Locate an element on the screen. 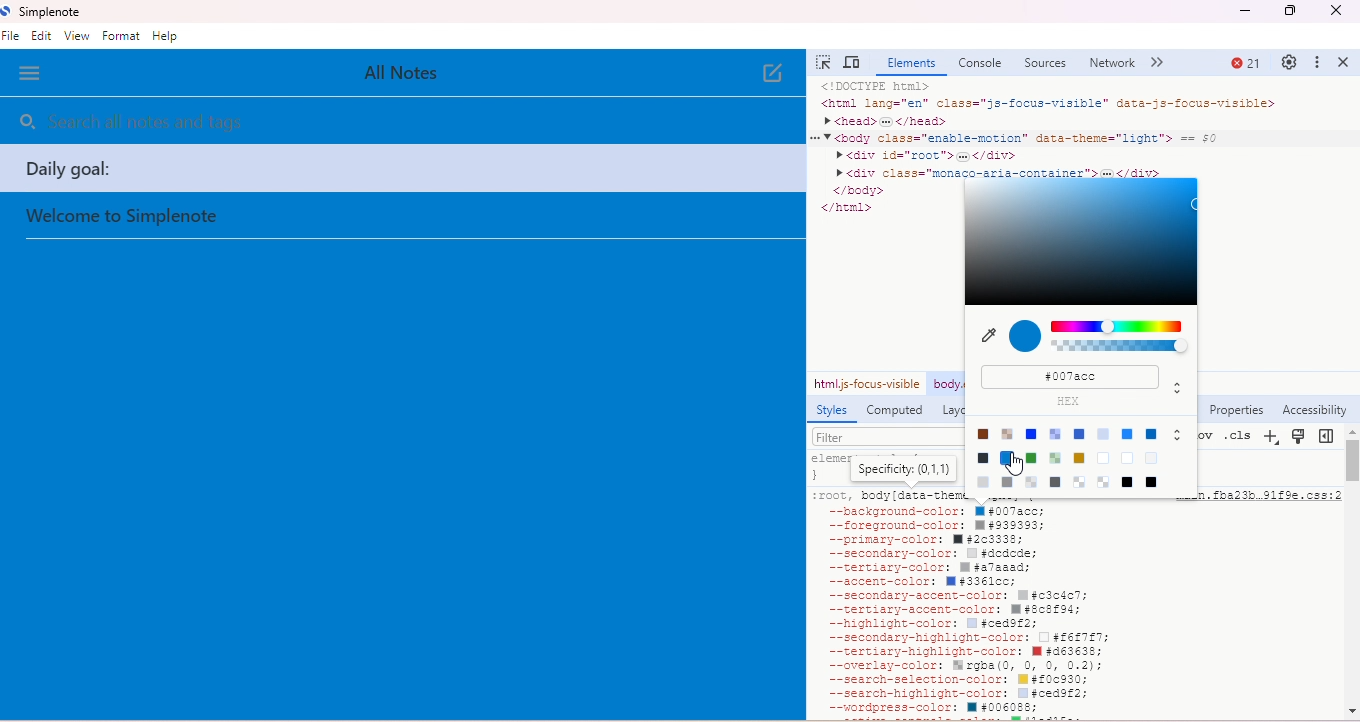 This screenshot has width=1360, height=722. selected color is located at coordinates (1026, 337).